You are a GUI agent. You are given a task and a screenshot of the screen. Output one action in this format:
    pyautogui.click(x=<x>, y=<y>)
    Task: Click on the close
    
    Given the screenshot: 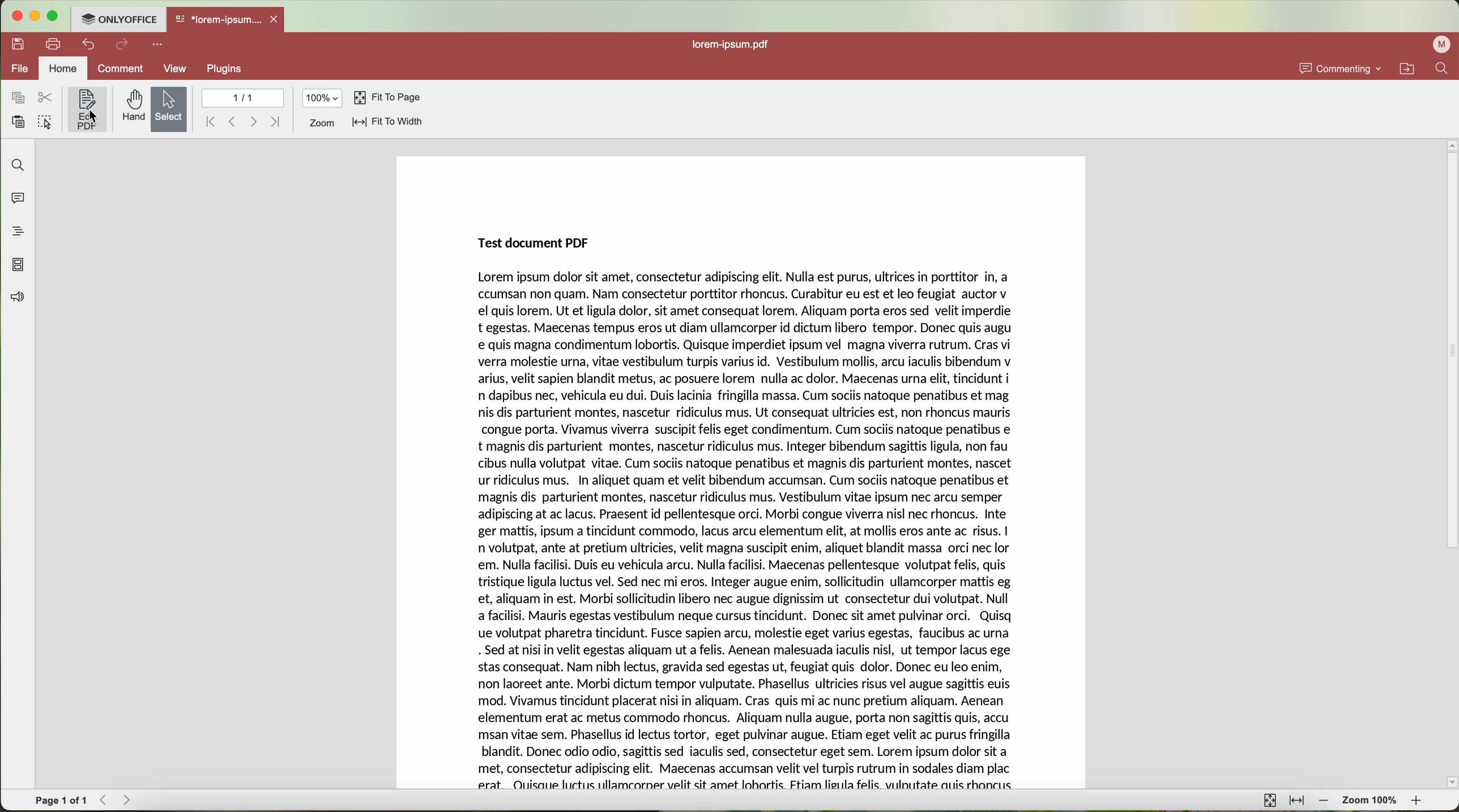 What is the action you would take?
    pyautogui.click(x=276, y=19)
    